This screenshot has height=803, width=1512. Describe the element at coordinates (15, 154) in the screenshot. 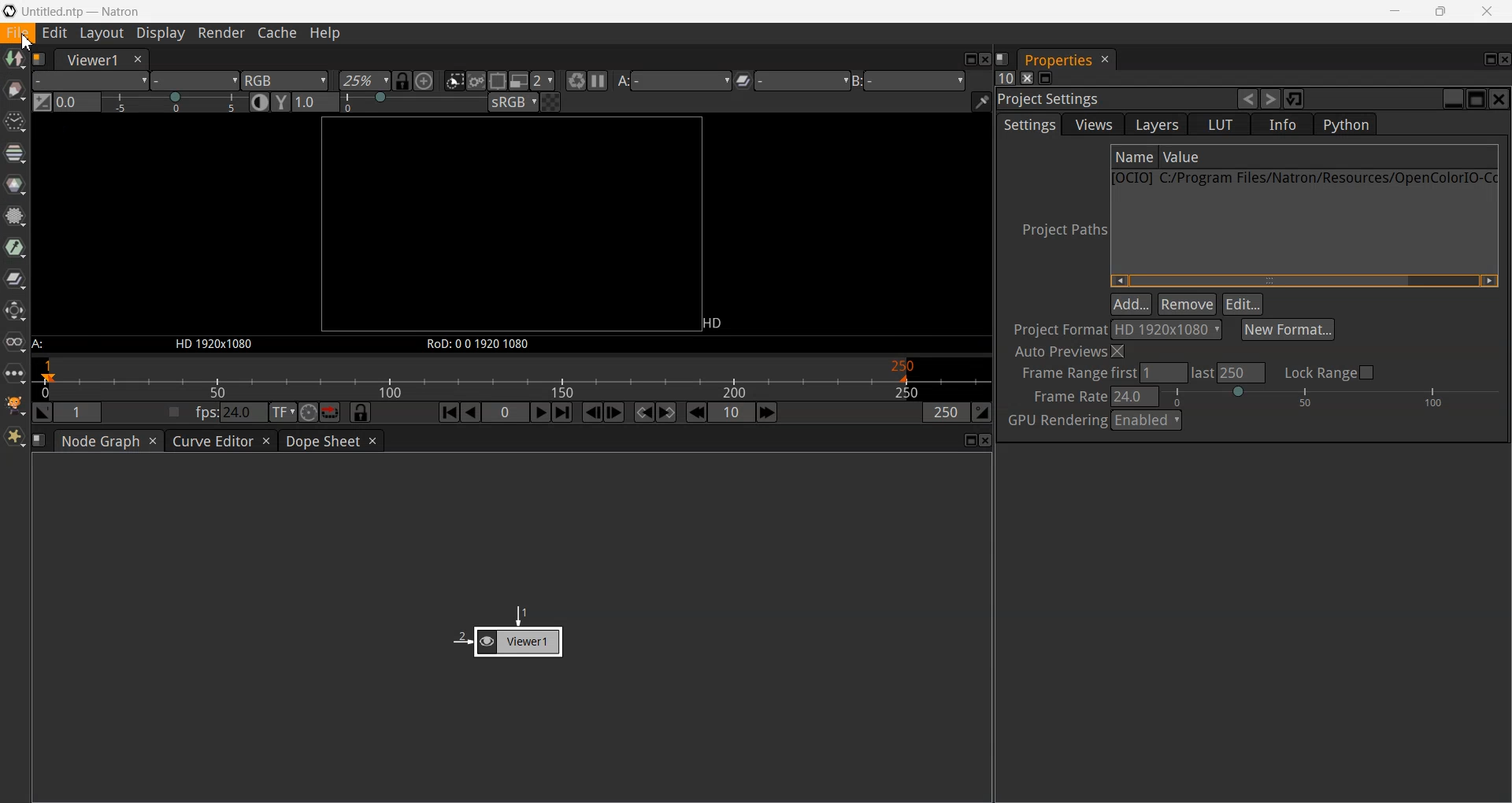

I see `Channel` at that location.